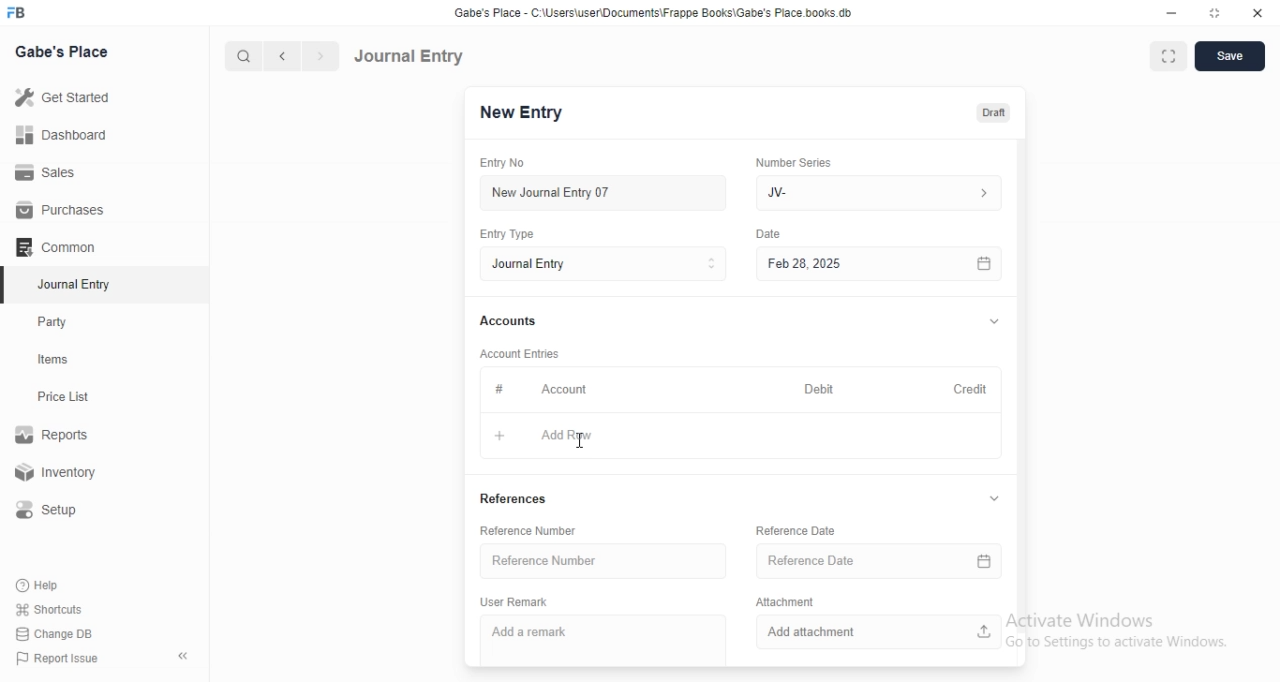 This screenshot has height=682, width=1280. I want to click on References, so click(520, 498).